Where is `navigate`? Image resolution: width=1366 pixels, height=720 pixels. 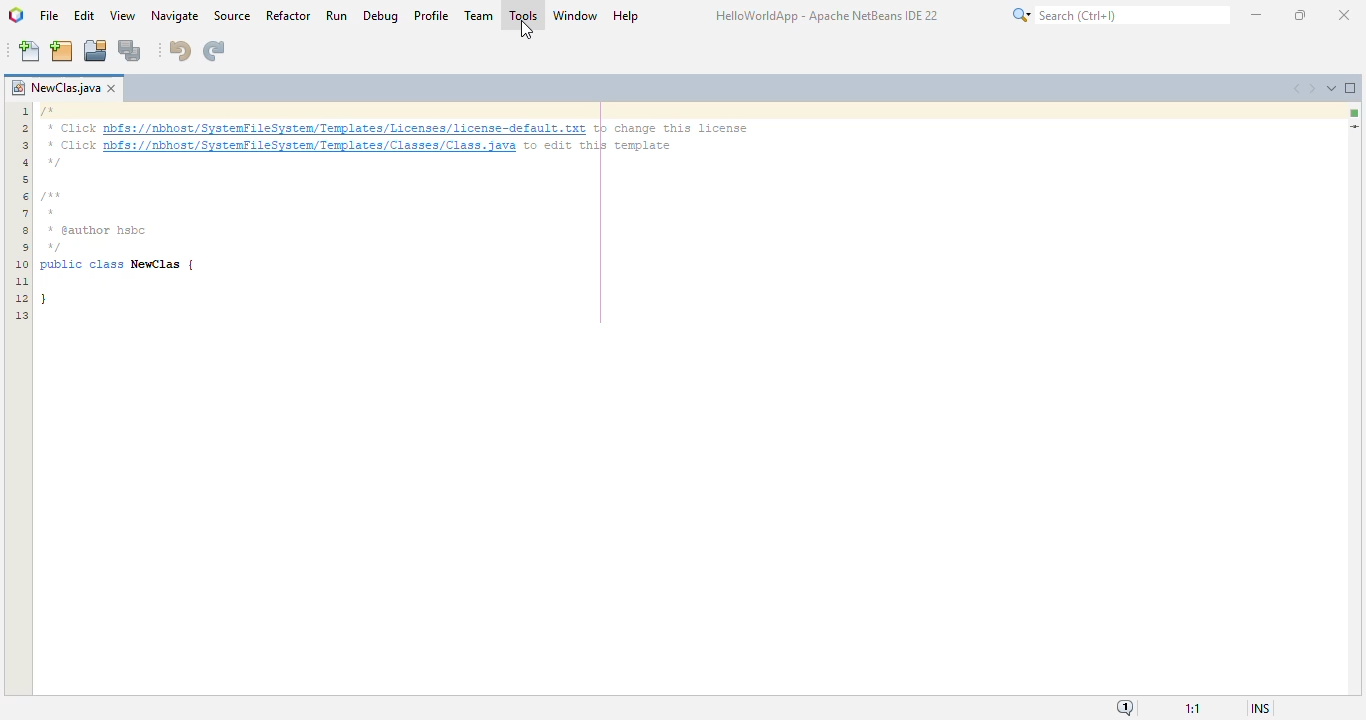 navigate is located at coordinates (174, 16).